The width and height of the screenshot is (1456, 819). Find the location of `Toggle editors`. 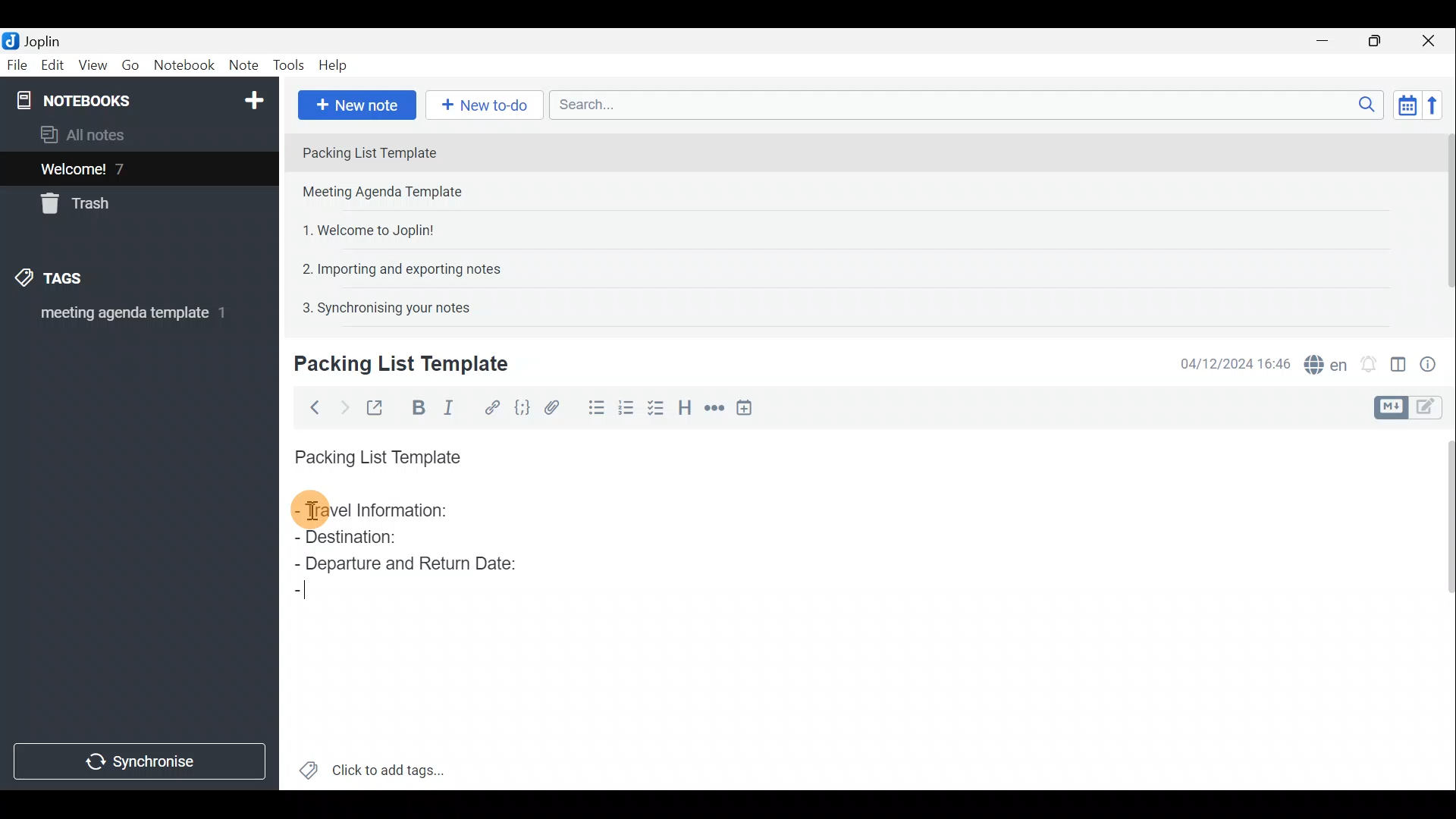

Toggle editors is located at coordinates (1393, 406).